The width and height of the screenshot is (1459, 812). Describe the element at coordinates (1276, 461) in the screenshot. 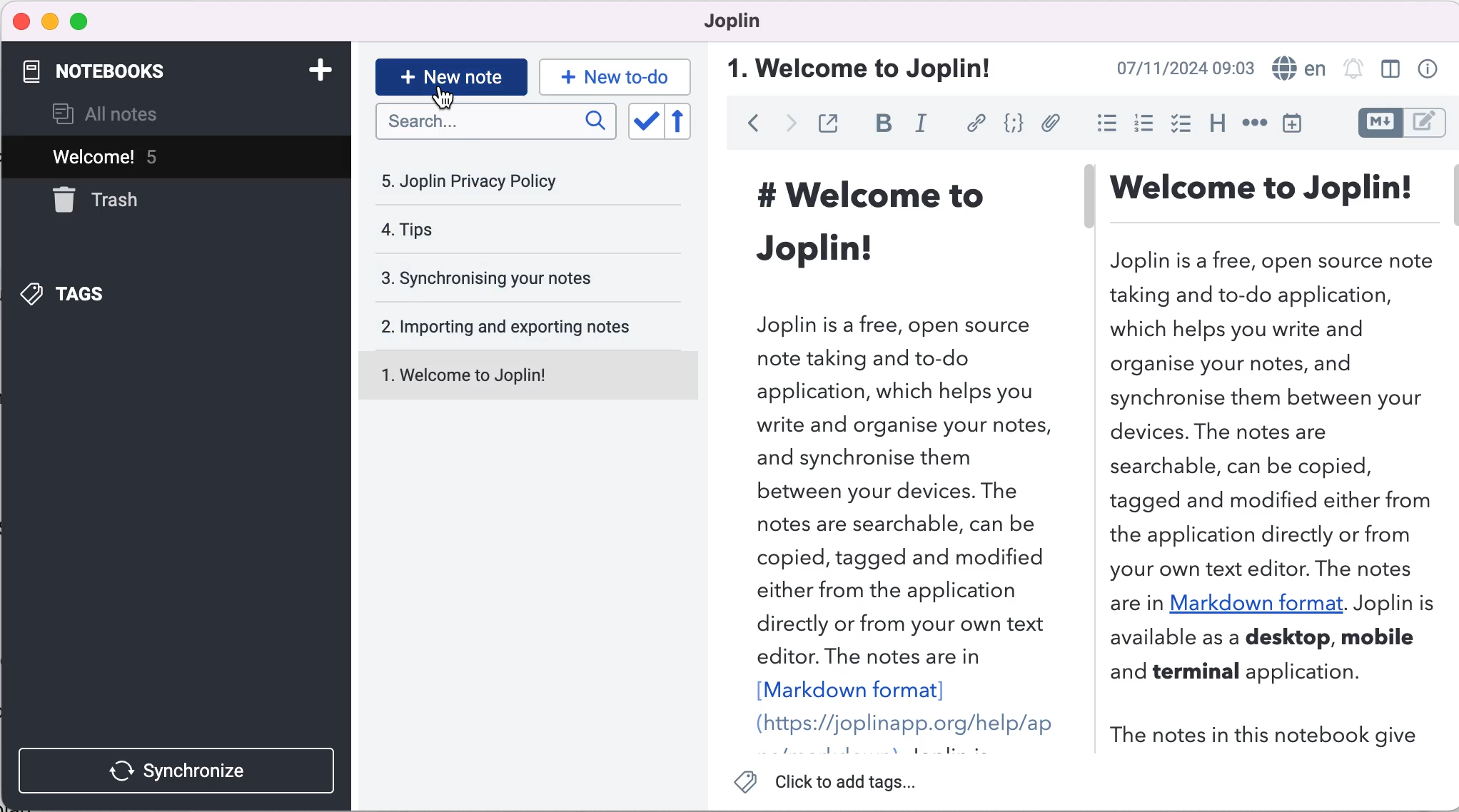

I see `welcome to joplin introduction` at that location.